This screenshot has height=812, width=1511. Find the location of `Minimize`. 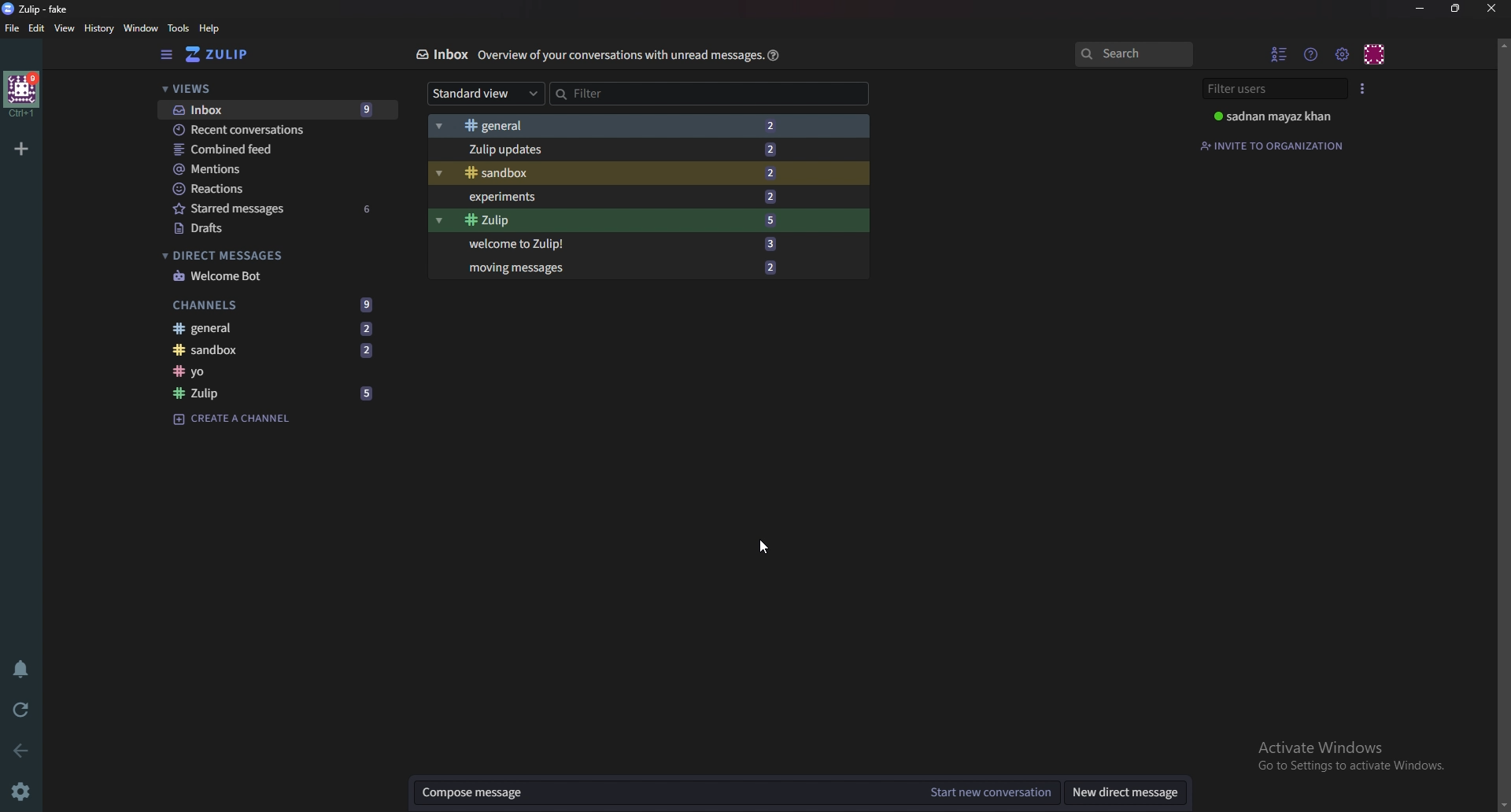

Minimize is located at coordinates (1421, 9).